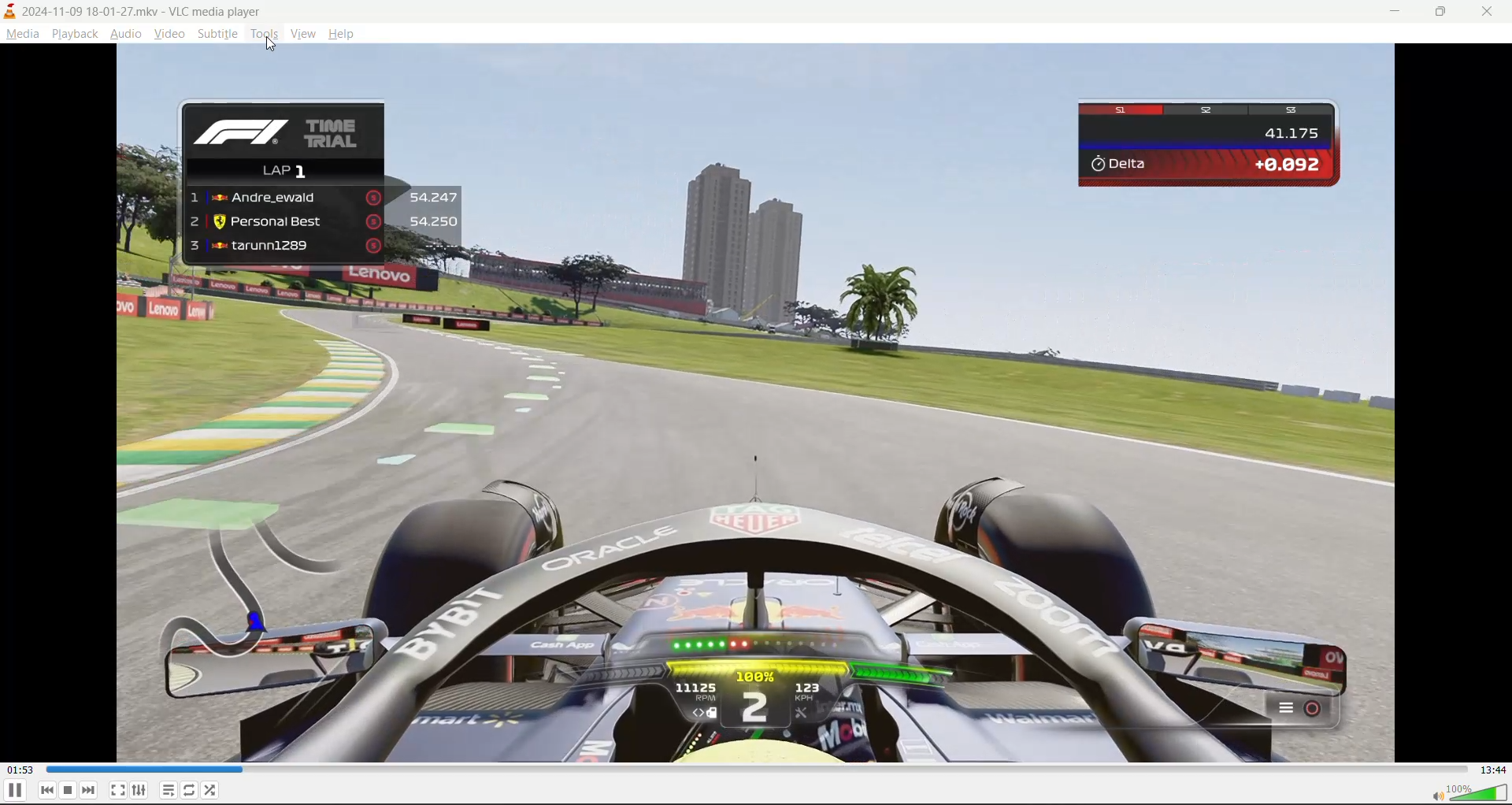 The image size is (1512, 805). What do you see at coordinates (1449, 13) in the screenshot?
I see `maximize` at bounding box center [1449, 13].